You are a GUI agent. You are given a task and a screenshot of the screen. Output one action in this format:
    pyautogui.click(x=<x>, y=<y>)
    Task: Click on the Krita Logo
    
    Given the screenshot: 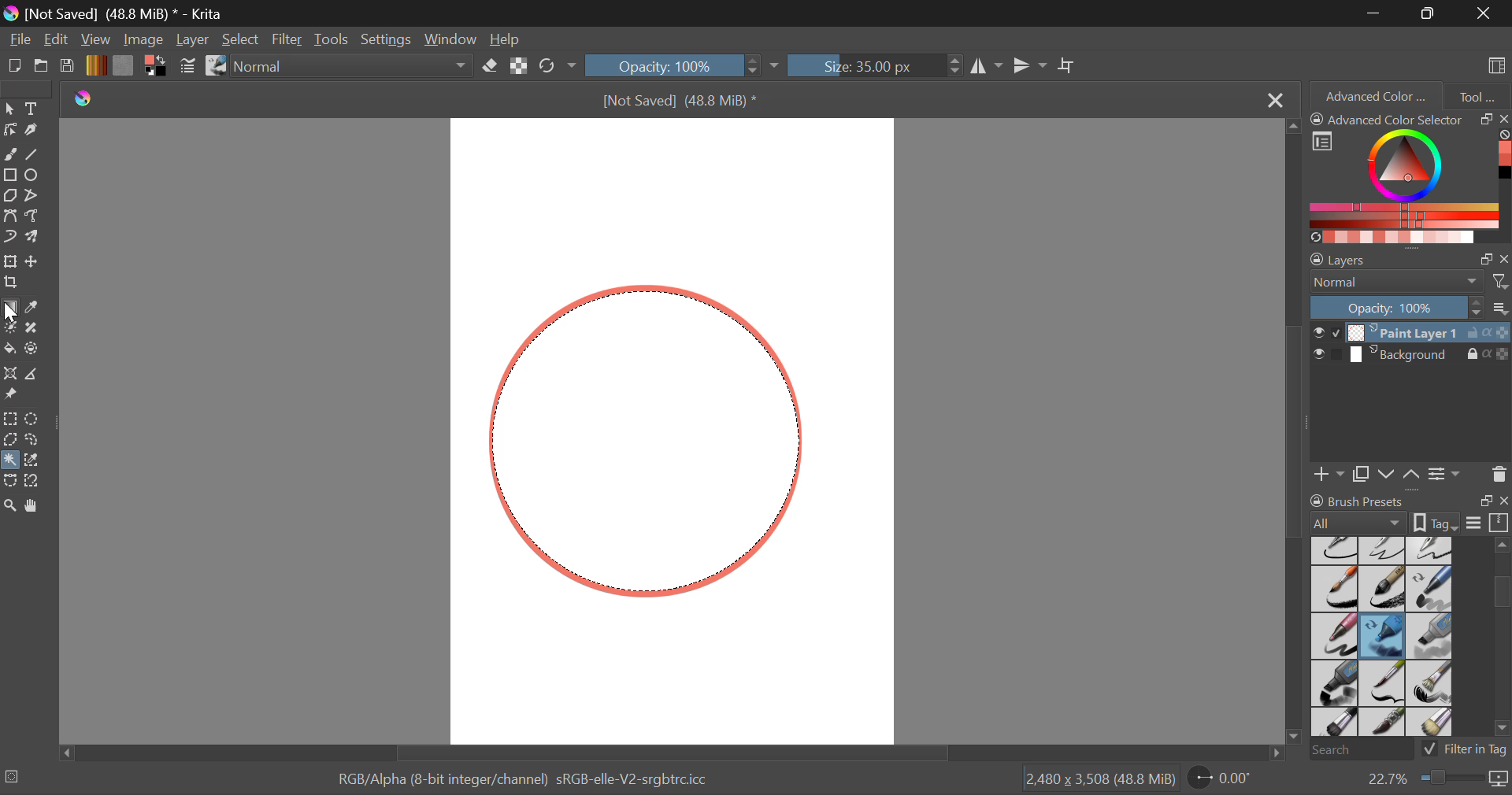 What is the action you would take?
    pyautogui.click(x=82, y=99)
    